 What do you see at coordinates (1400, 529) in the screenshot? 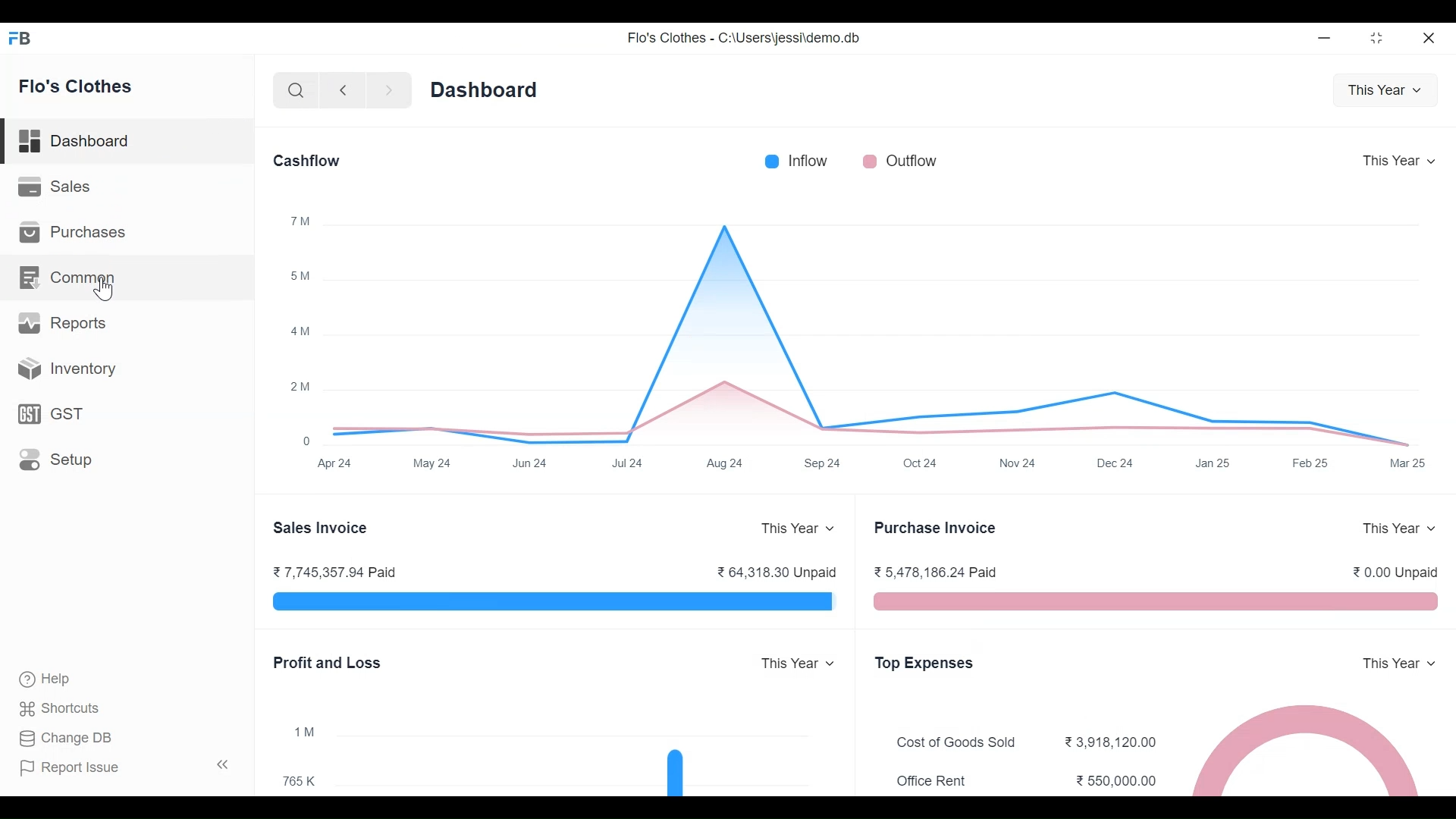
I see `This Year` at bounding box center [1400, 529].